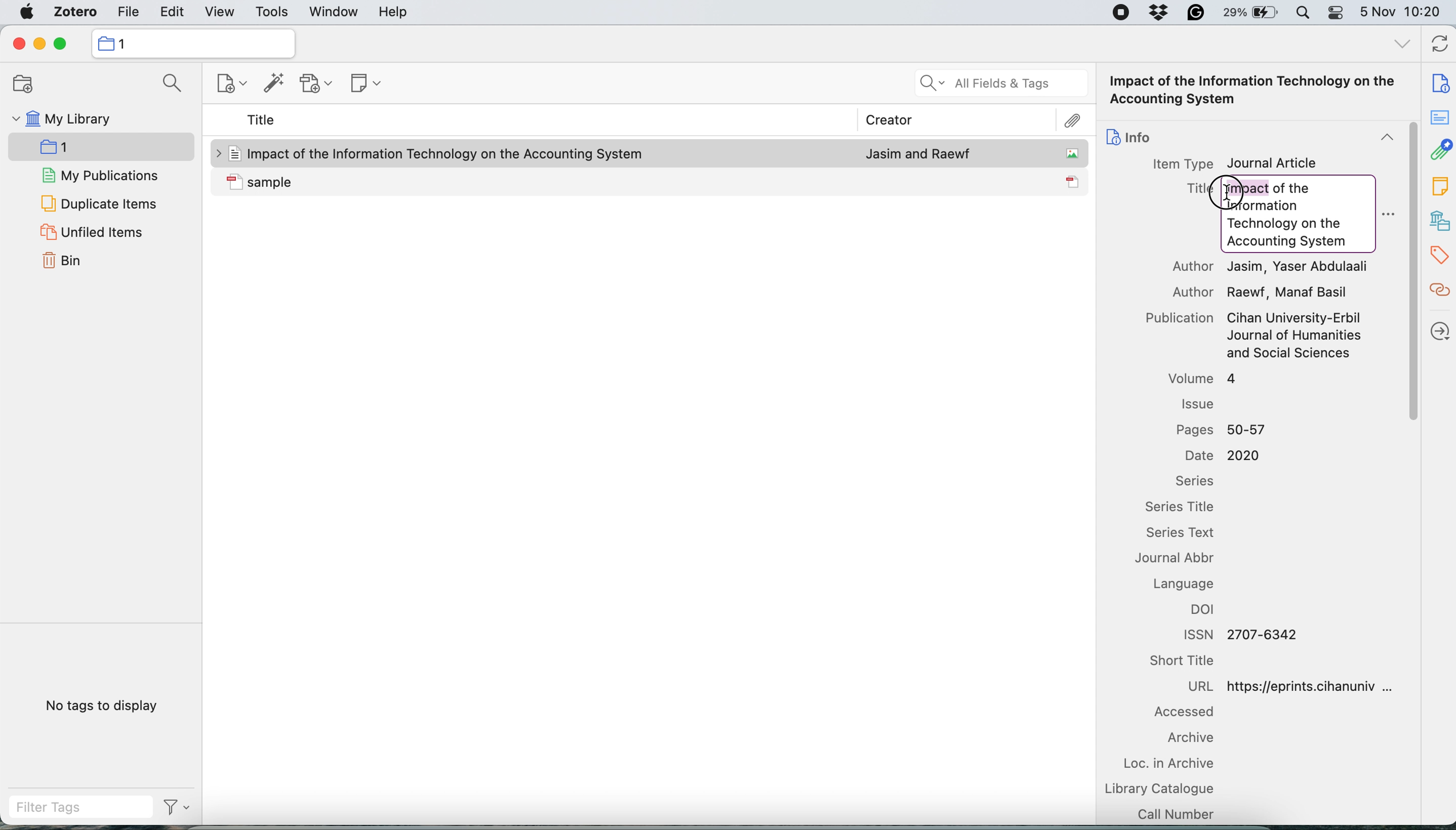 Image resolution: width=1456 pixels, height=830 pixels. What do you see at coordinates (72, 13) in the screenshot?
I see `zotero` at bounding box center [72, 13].